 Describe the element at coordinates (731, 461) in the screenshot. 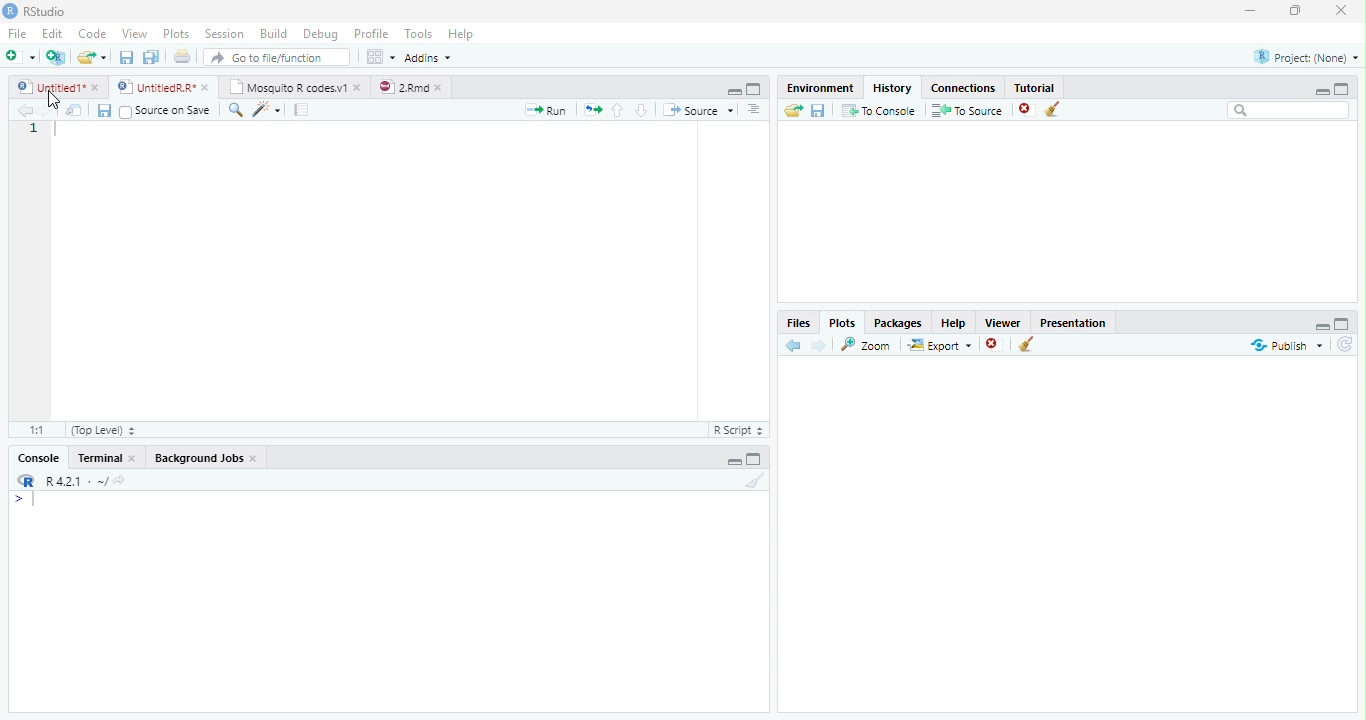

I see `Hide` at that location.